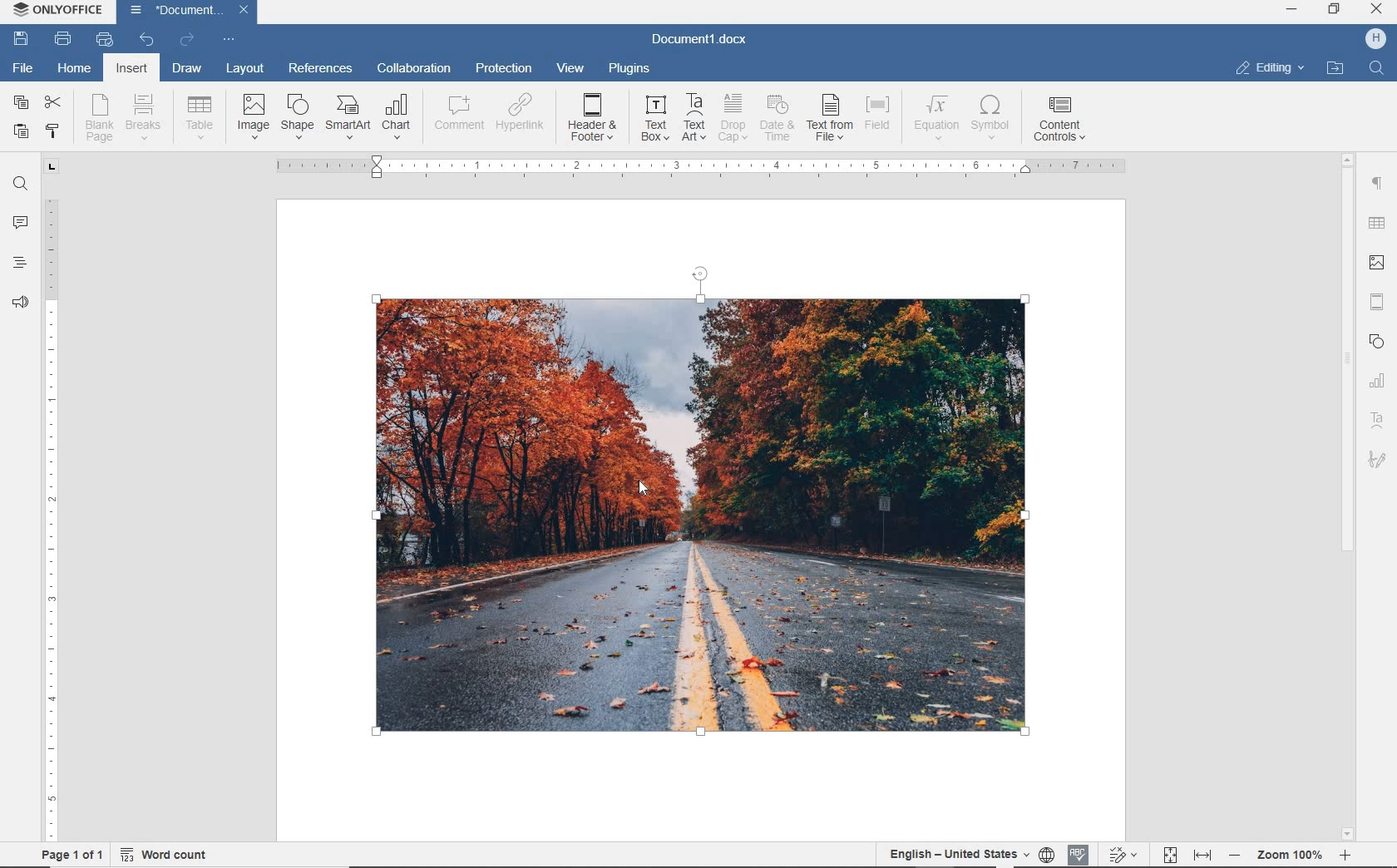 This screenshot has height=868, width=1397. I want to click on plugins, so click(630, 72).